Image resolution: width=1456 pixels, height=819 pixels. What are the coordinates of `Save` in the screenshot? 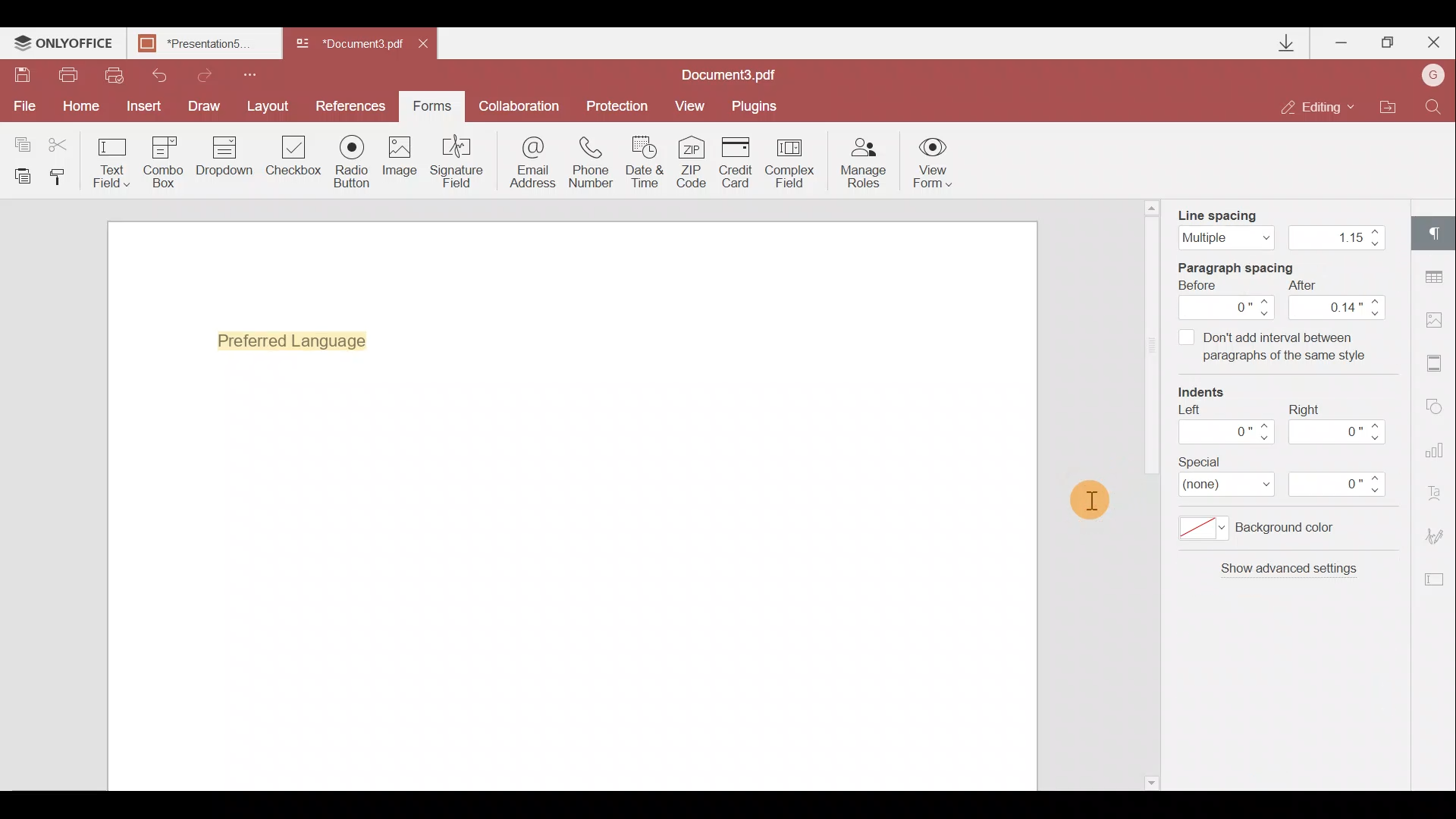 It's located at (21, 77).